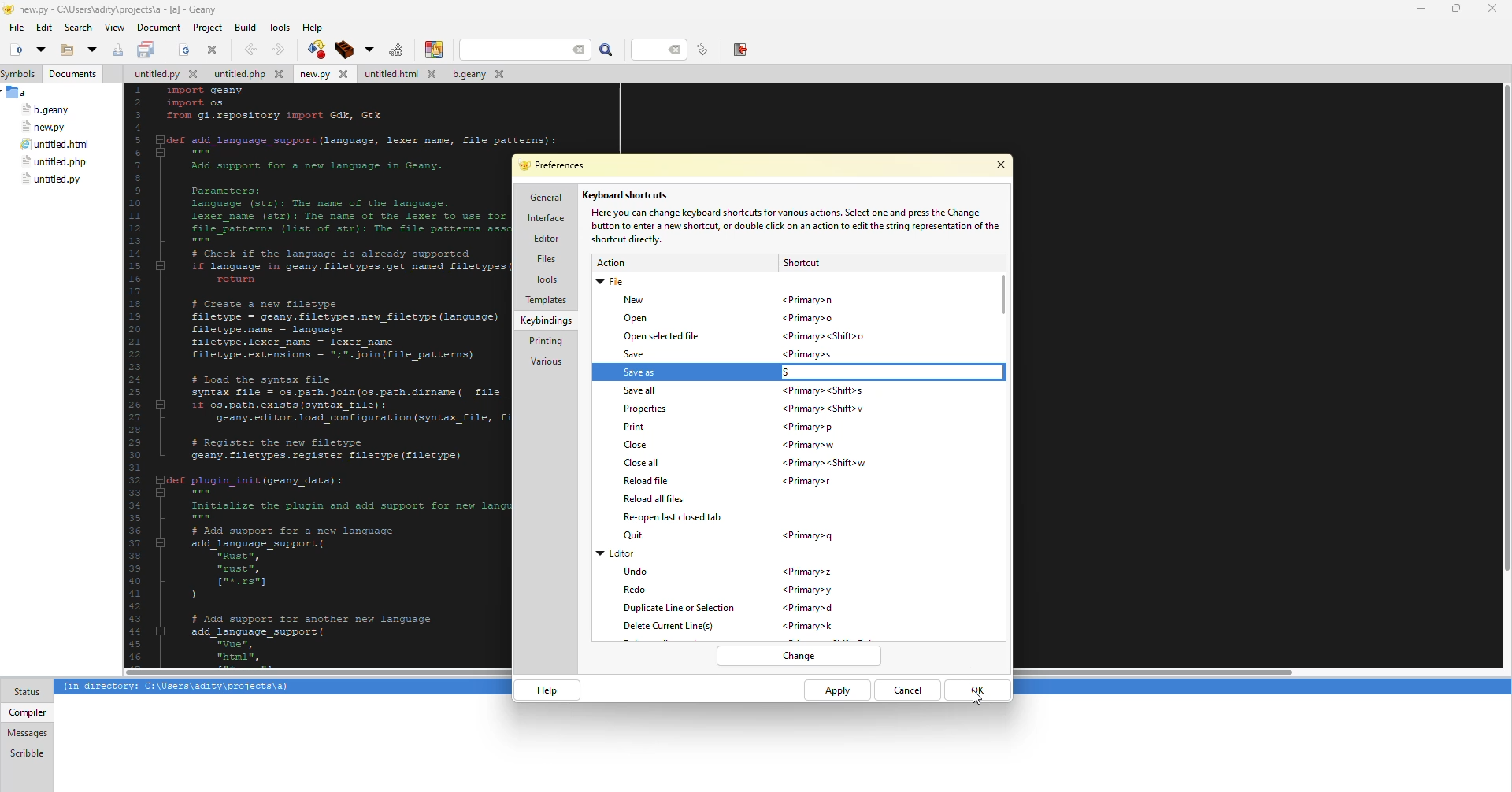 The height and width of the screenshot is (792, 1512). What do you see at coordinates (674, 626) in the screenshot?
I see `delete` at bounding box center [674, 626].